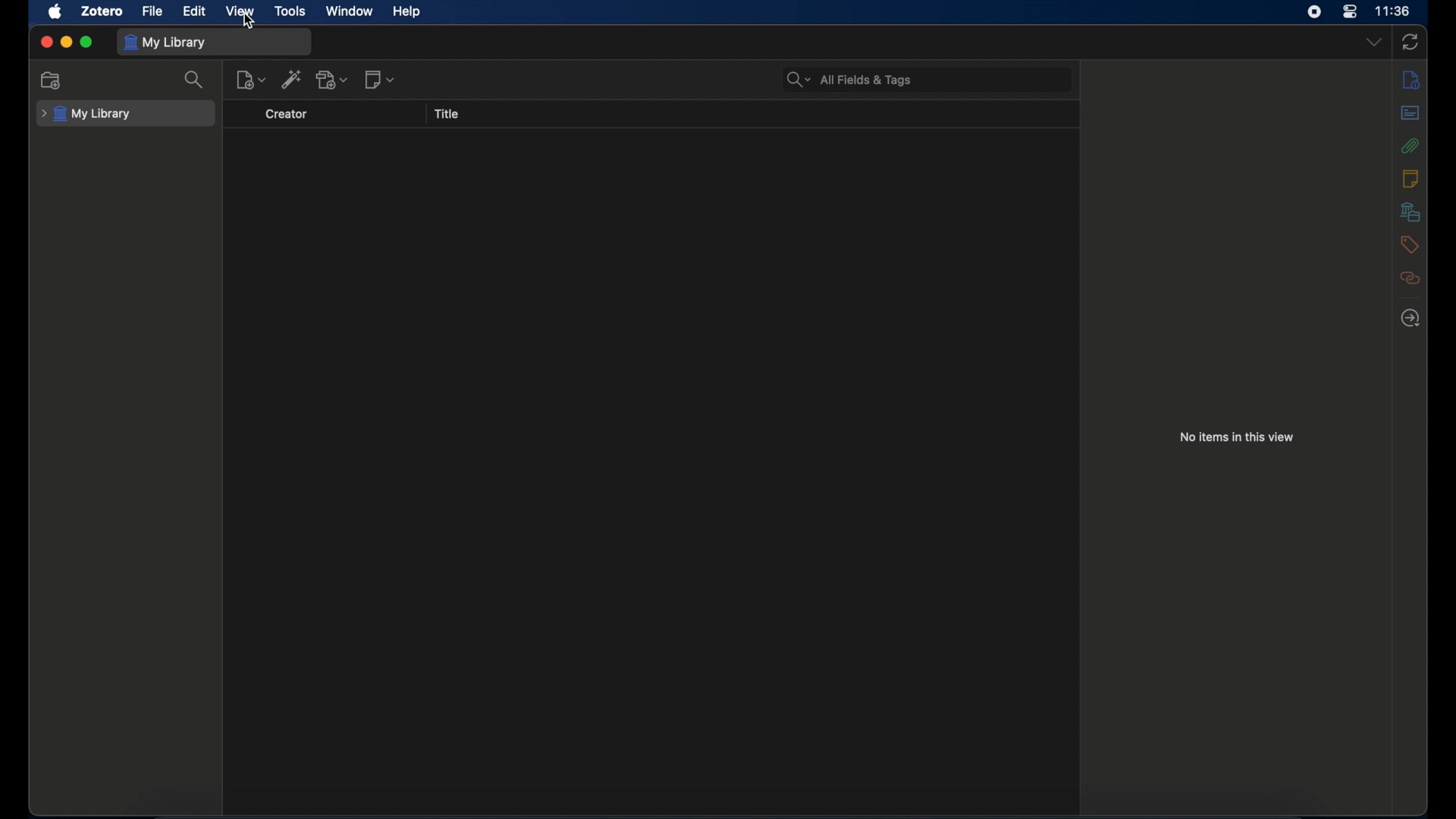 The width and height of the screenshot is (1456, 819). I want to click on new note, so click(381, 79).